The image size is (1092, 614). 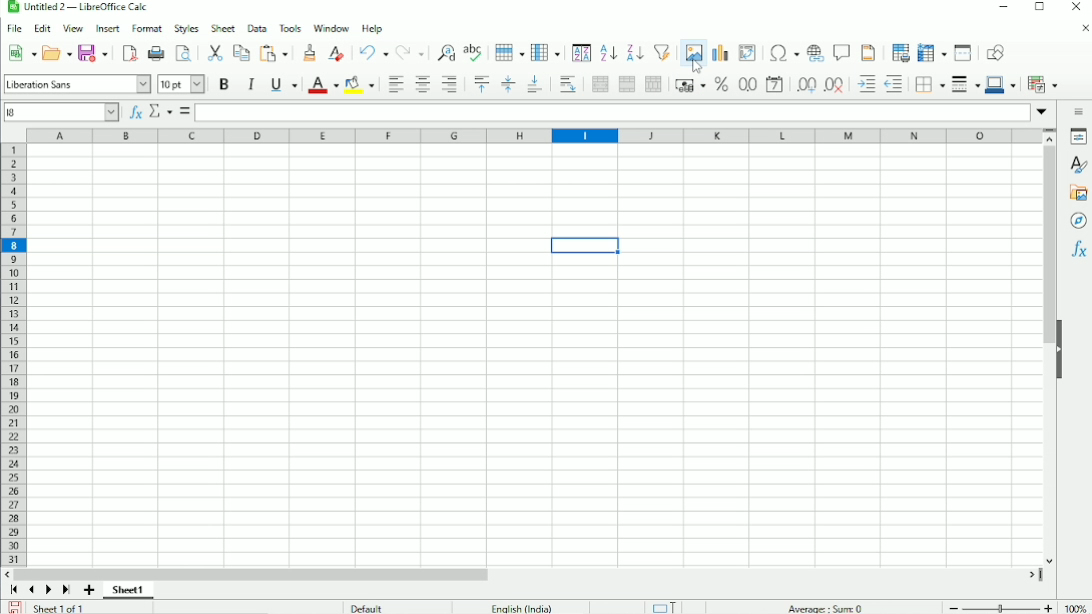 What do you see at coordinates (309, 51) in the screenshot?
I see `Clone formatting` at bounding box center [309, 51].